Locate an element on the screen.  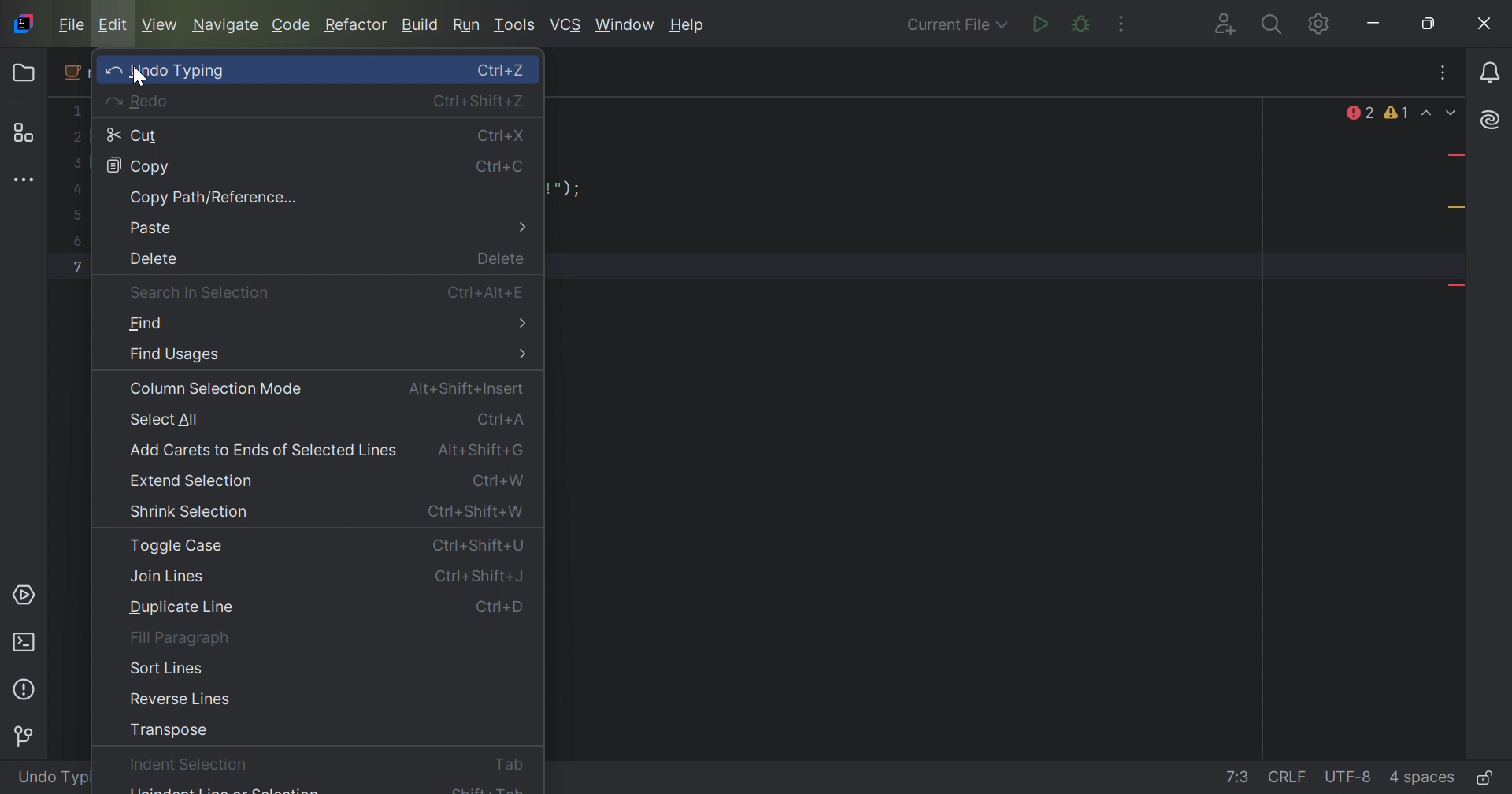
line separation: \r\n is located at coordinates (1284, 777).